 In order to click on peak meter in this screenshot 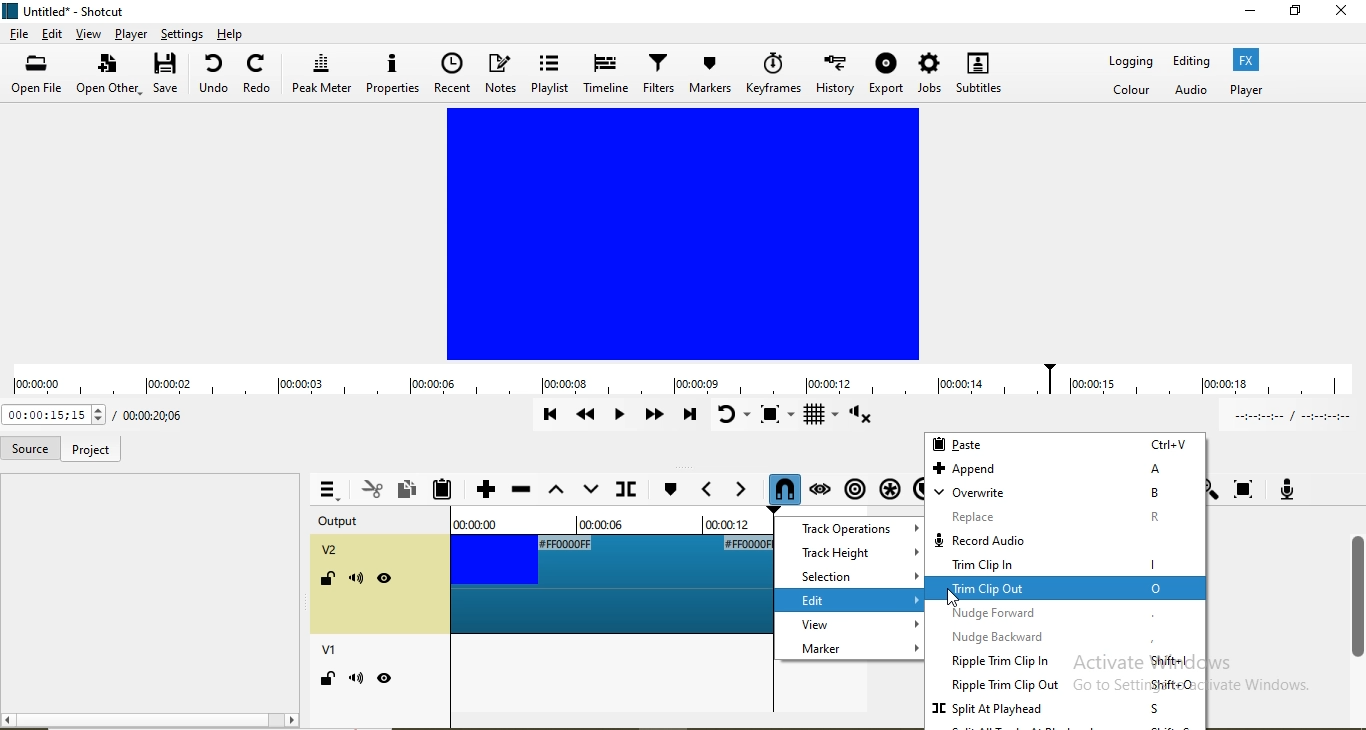, I will do `click(322, 74)`.